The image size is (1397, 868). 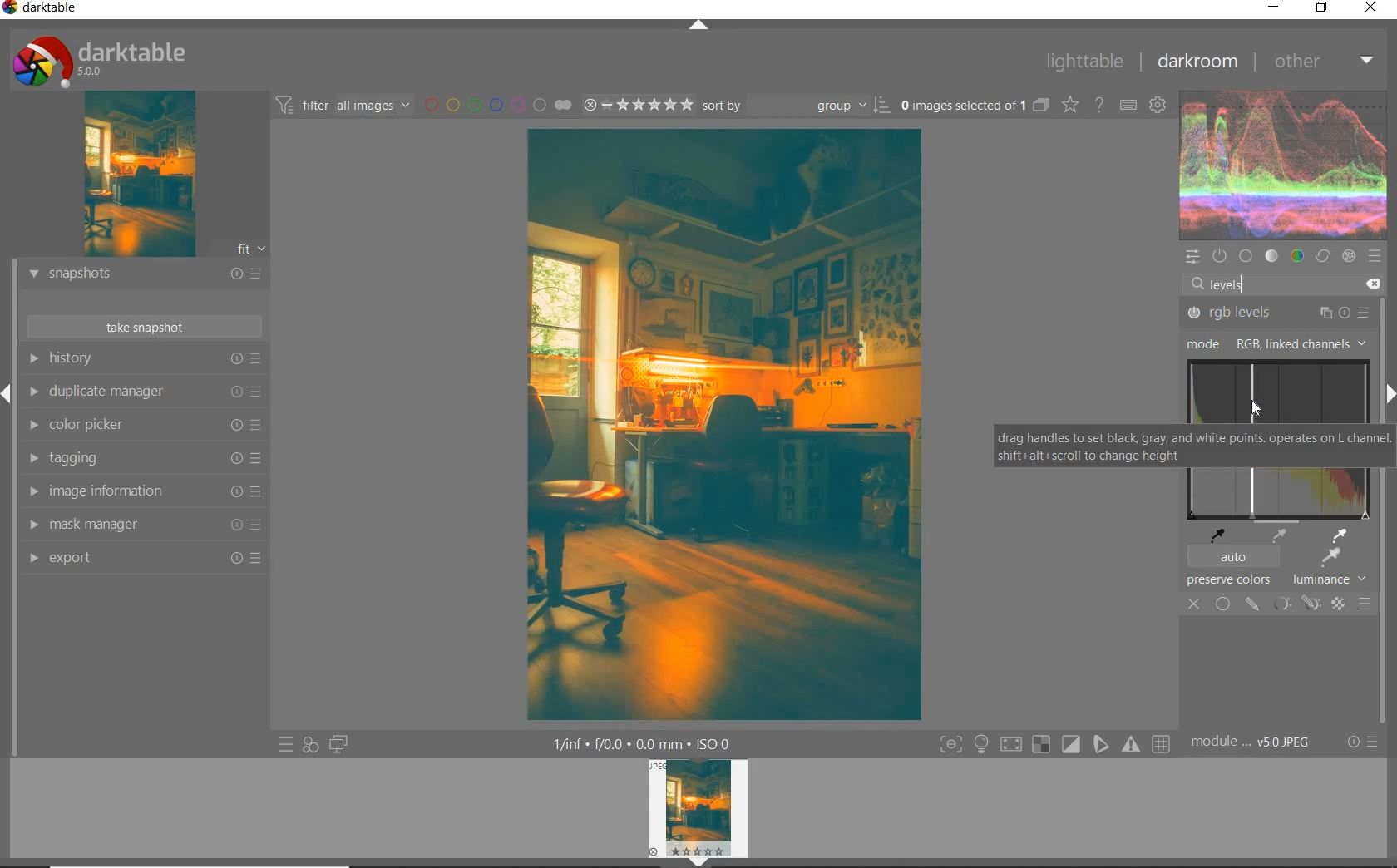 What do you see at coordinates (1222, 604) in the screenshot?
I see `uniformly` at bounding box center [1222, 604].